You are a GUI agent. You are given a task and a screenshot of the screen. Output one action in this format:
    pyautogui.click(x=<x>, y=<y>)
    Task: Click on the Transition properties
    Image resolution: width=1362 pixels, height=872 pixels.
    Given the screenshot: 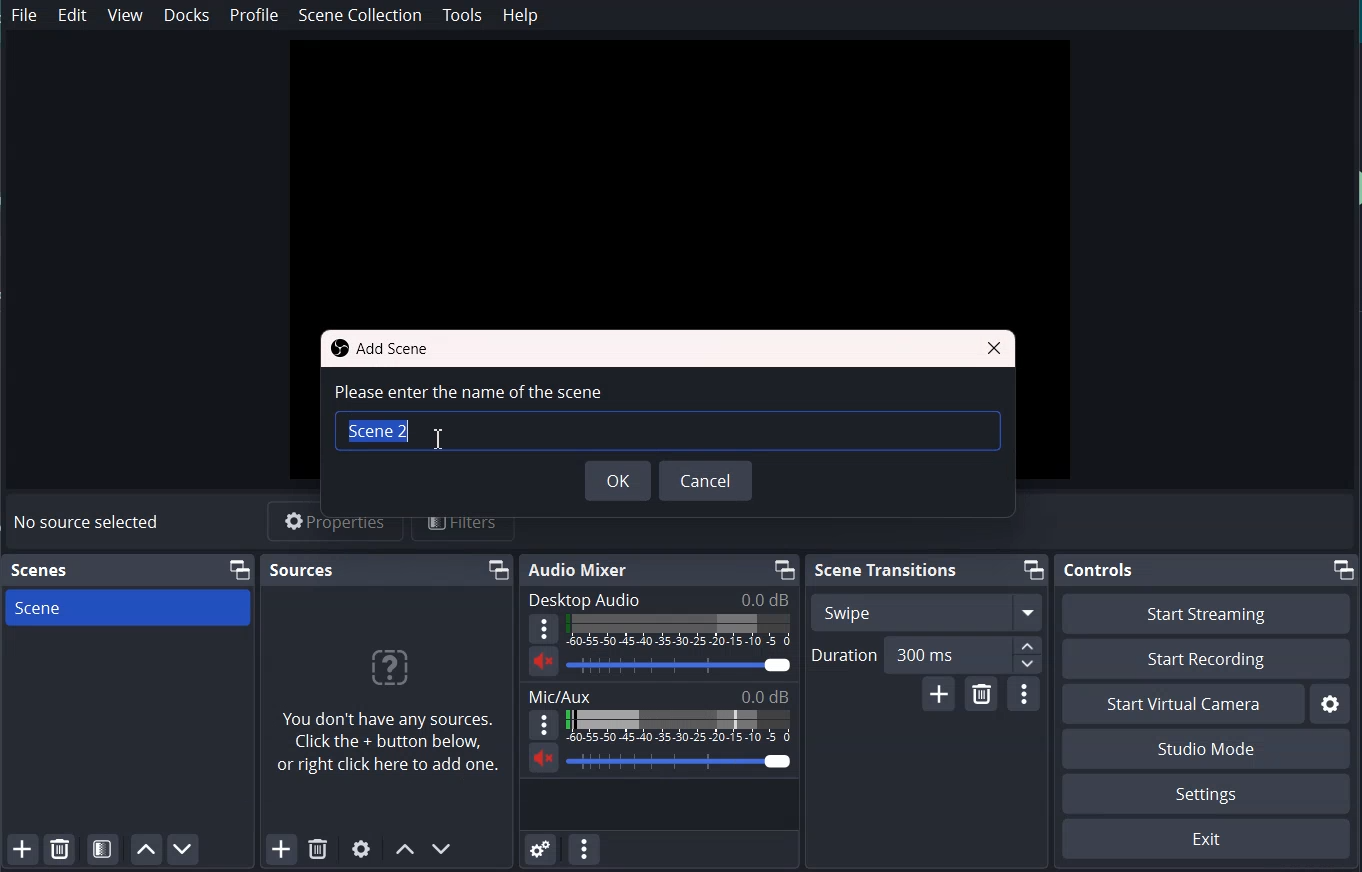 What is the action you would take?
    pyautogui.click(x=1025, y=695)
    